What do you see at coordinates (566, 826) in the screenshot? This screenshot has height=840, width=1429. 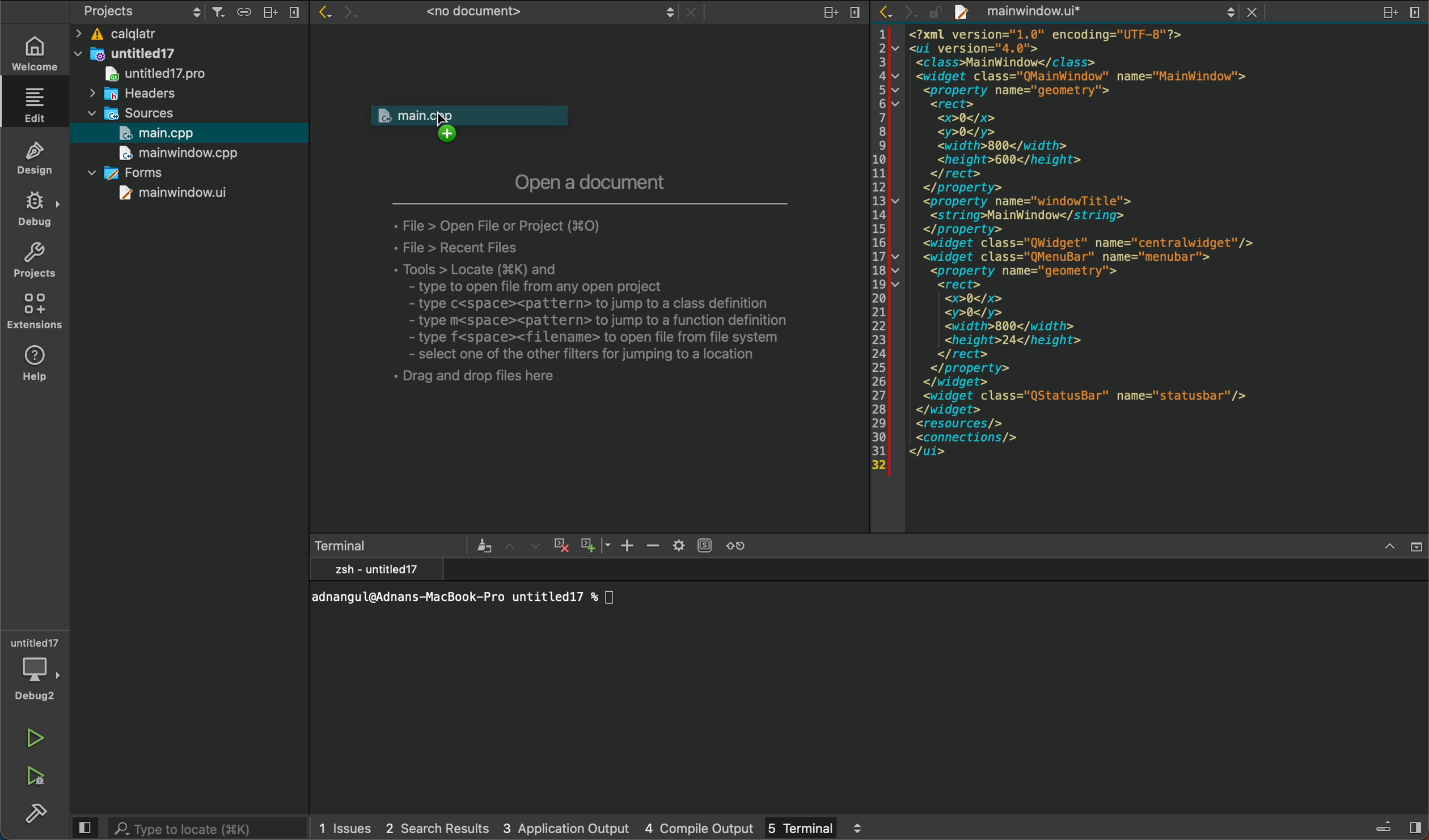 I see `application output` at bounding box center [566, 826].